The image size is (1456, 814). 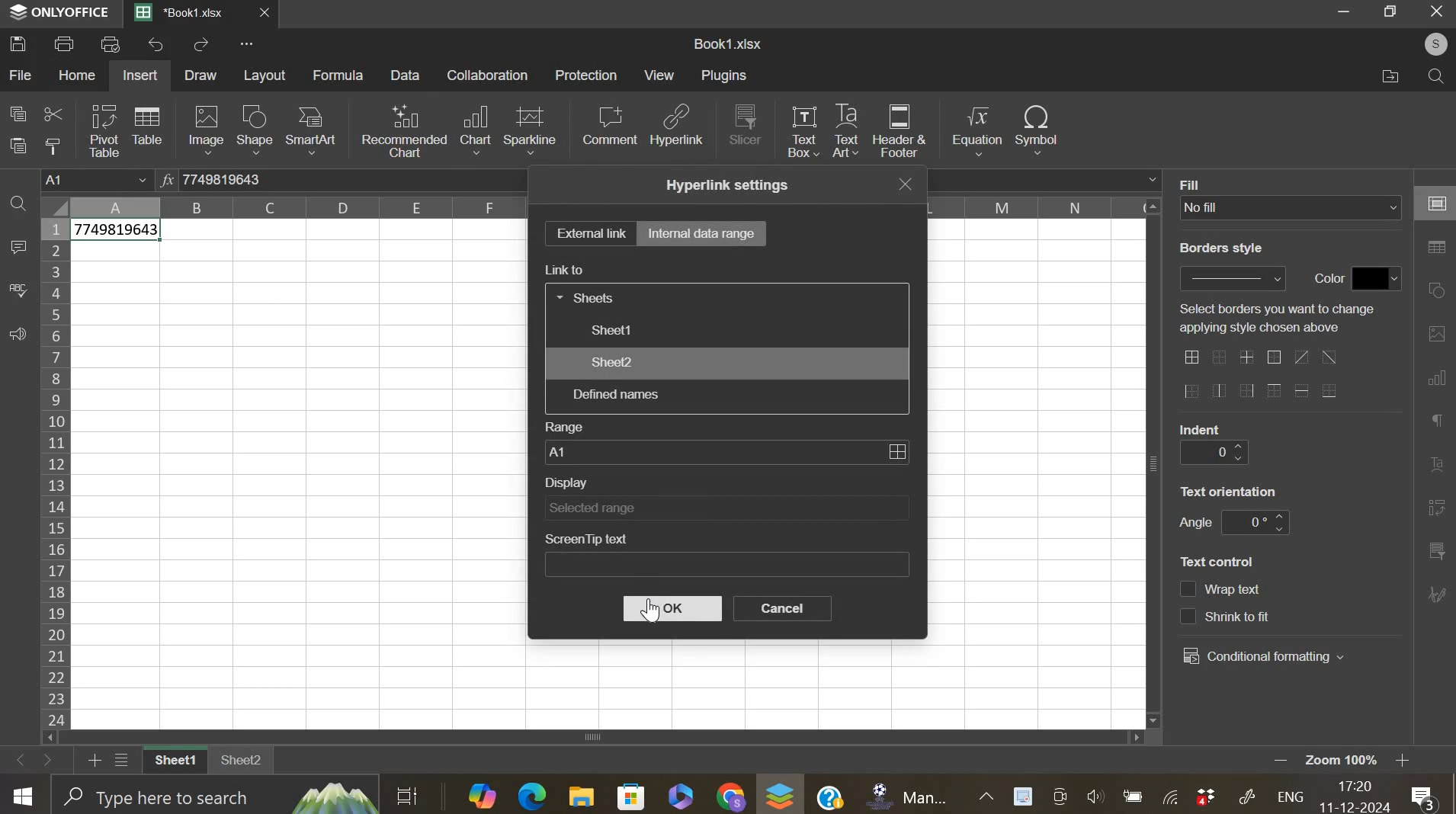 What do you see at coordinates (727, 566) in the screenshot?
I see `screenTip text` at bounding box center [727, 566].